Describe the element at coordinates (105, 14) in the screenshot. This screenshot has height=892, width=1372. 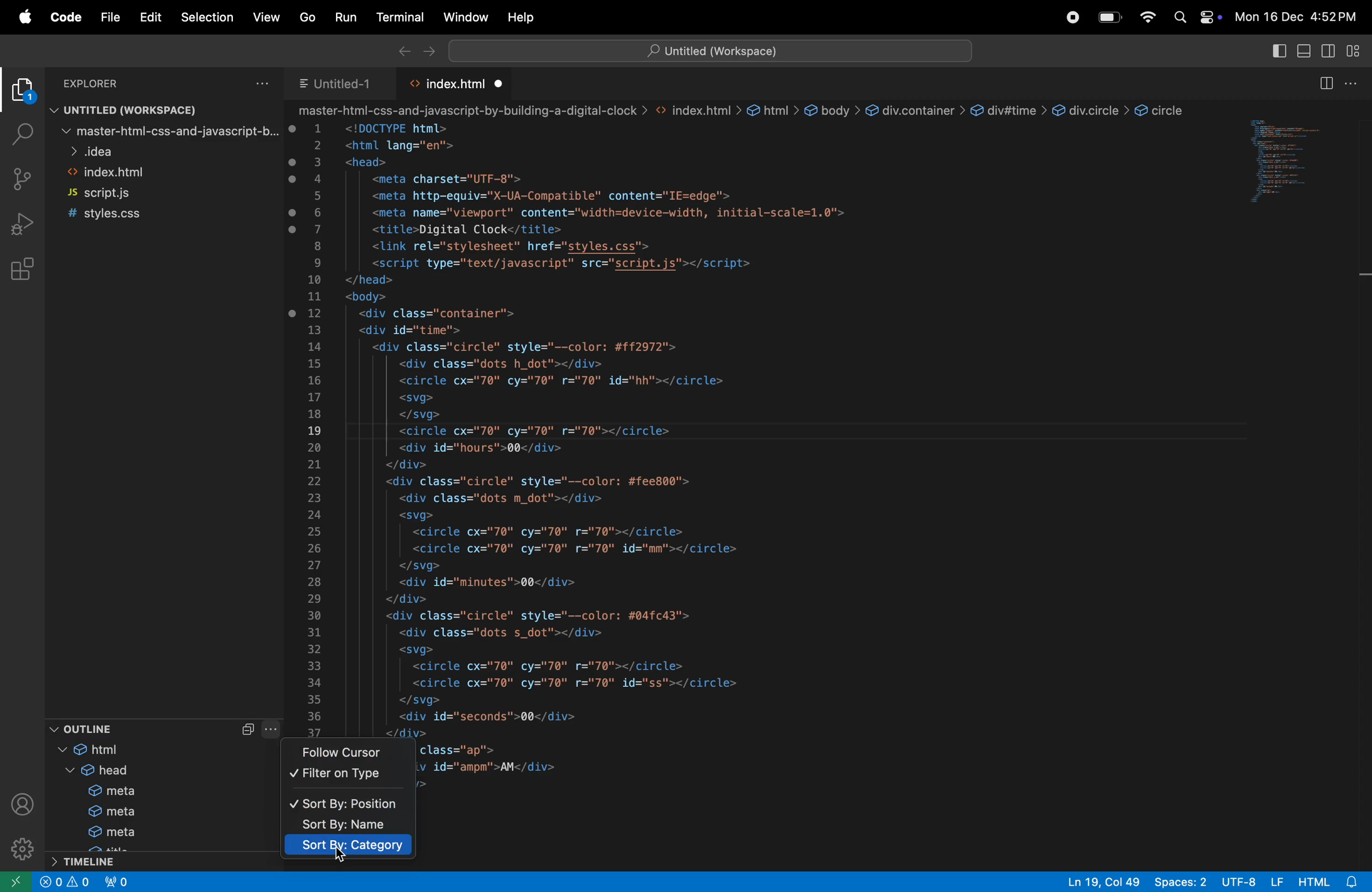
I see `file` at that location.